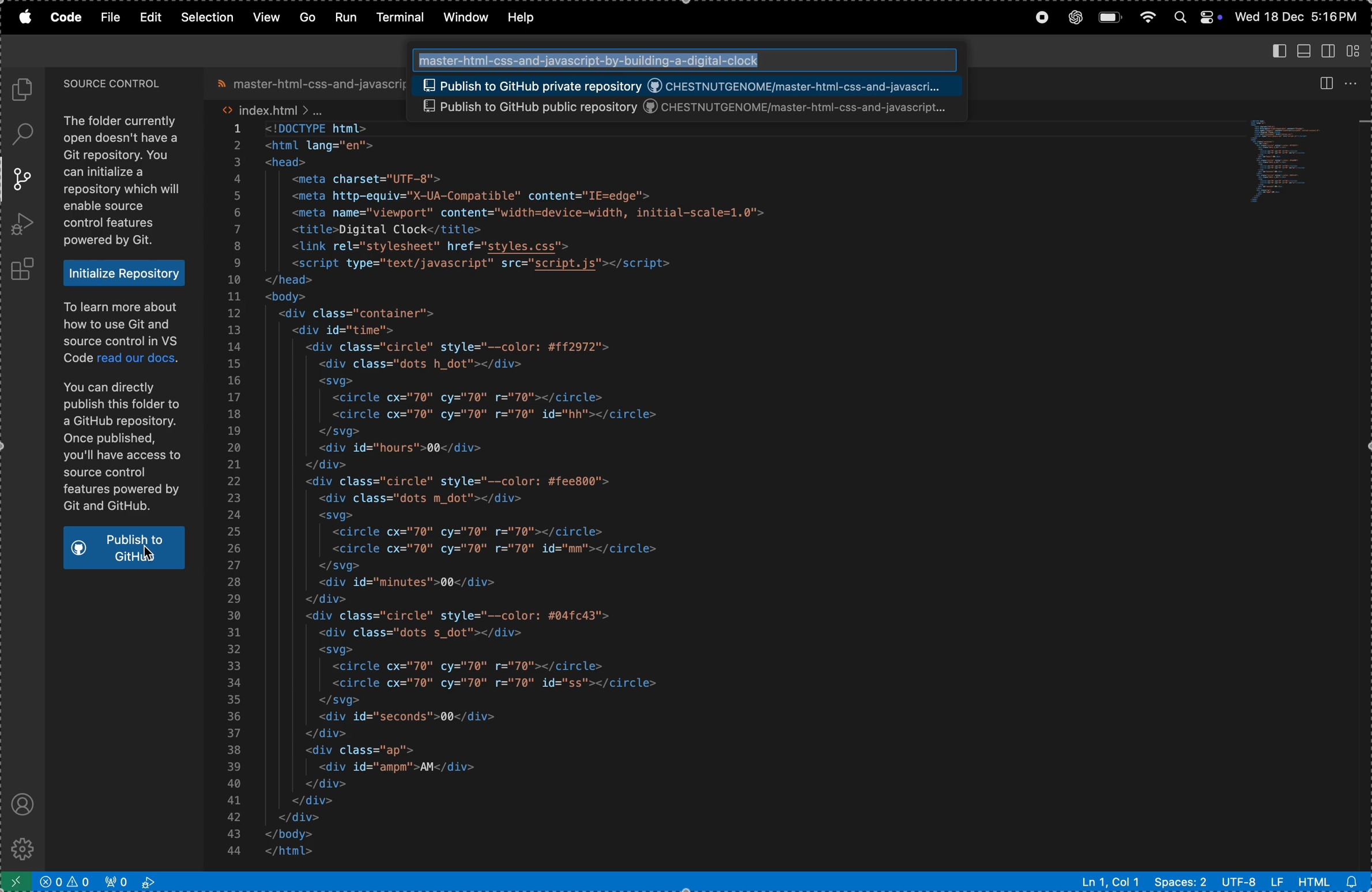 Image resolution: width=1372 pixels, height=892 pixels. I want to click on <head>, so click(289, 164).